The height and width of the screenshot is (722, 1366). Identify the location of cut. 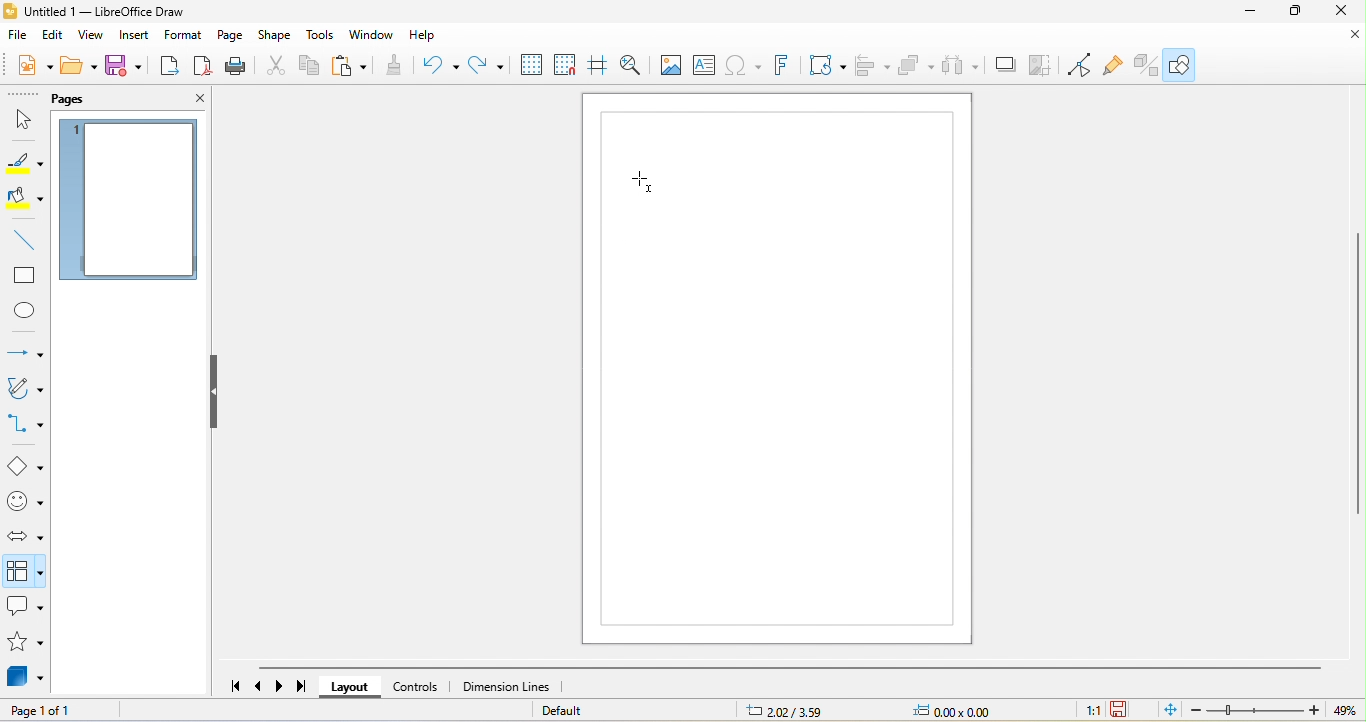
(275, 68).